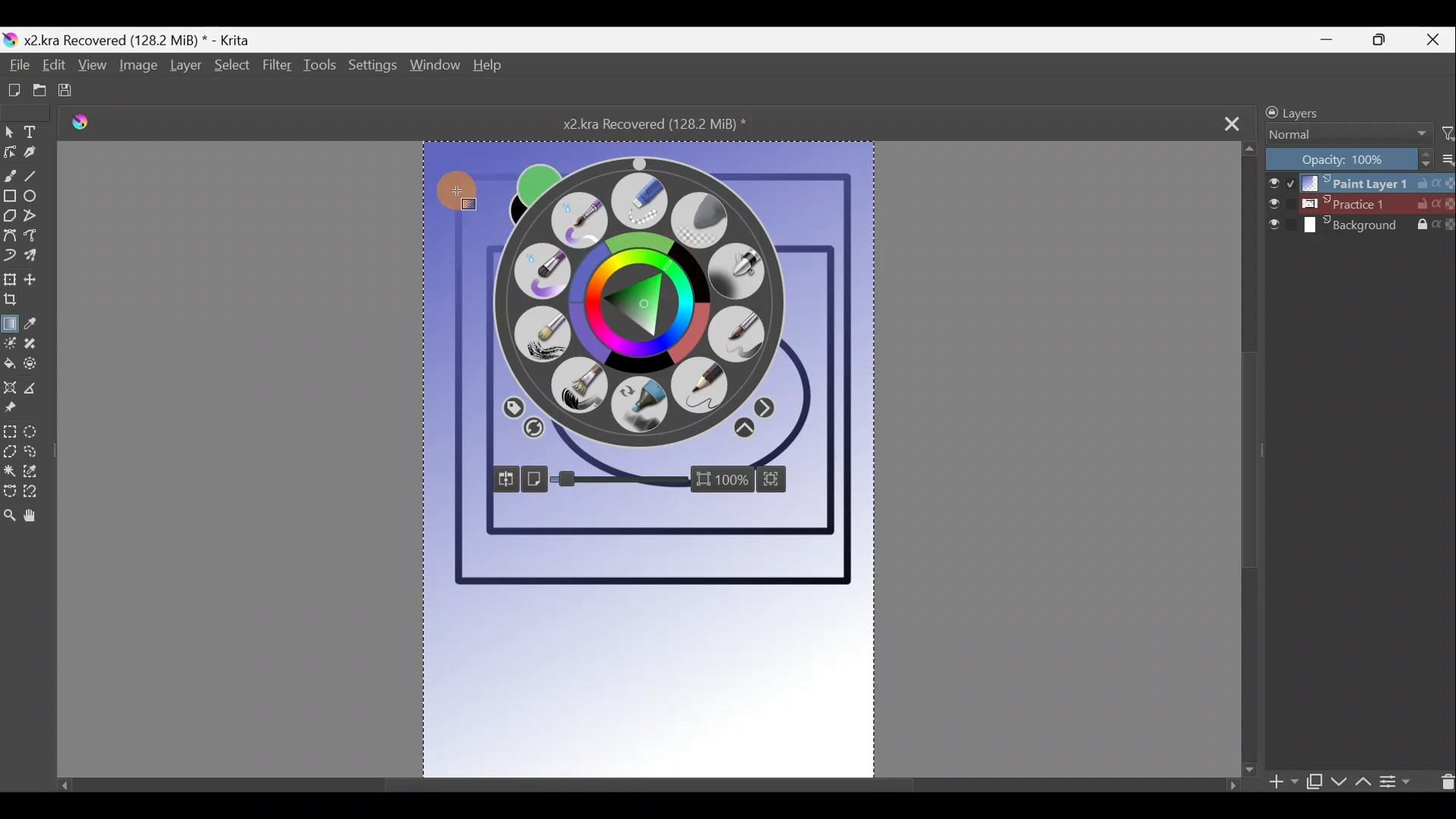 The height and width of the screenshot is (819, 1456). I want to click on All, so click(511, 406).